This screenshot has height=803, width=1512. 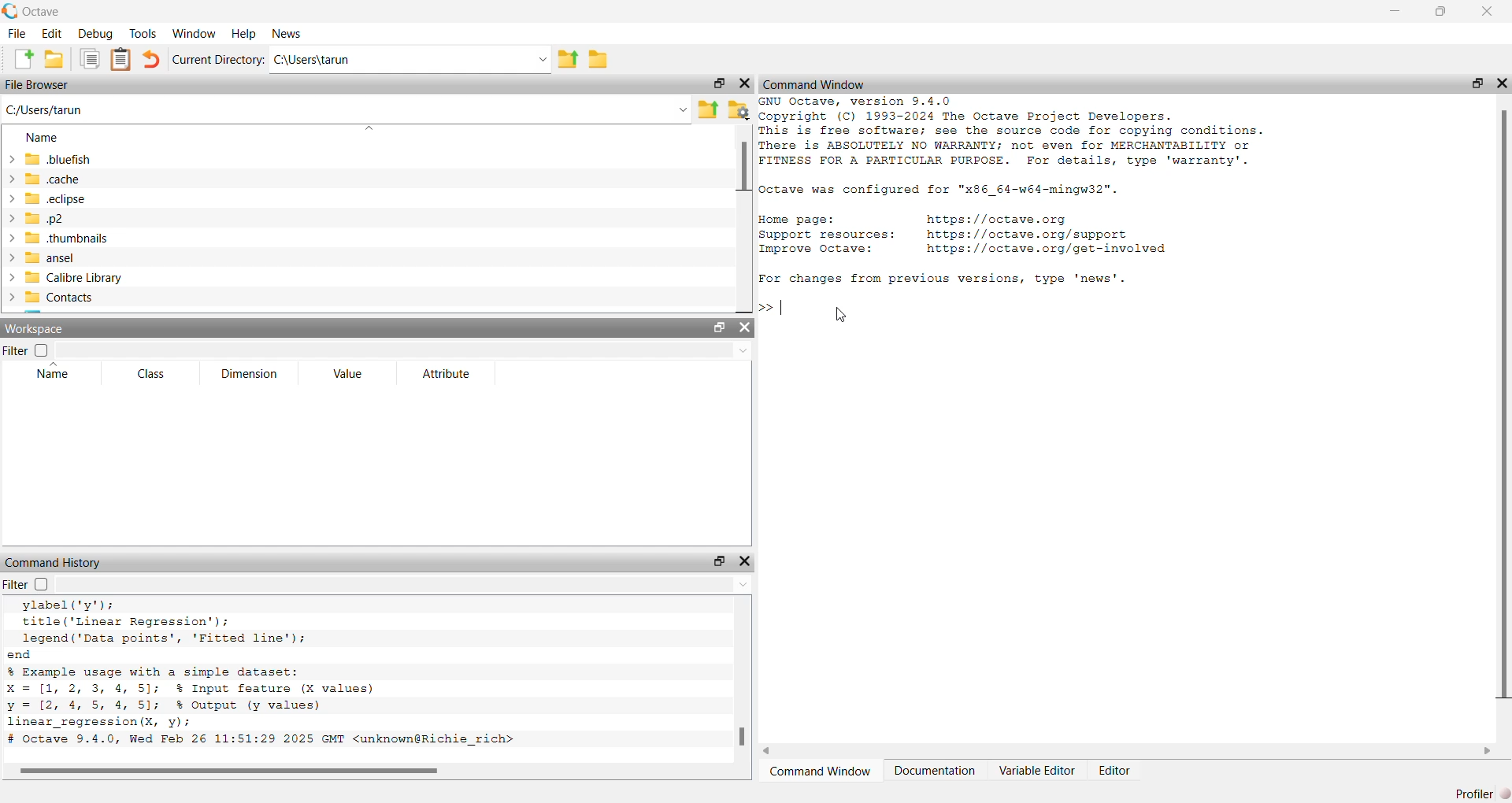 What do you see at coordinates (786, 306) in the screenshot?
I see `typing cursor` at bounding box center [786, 306].